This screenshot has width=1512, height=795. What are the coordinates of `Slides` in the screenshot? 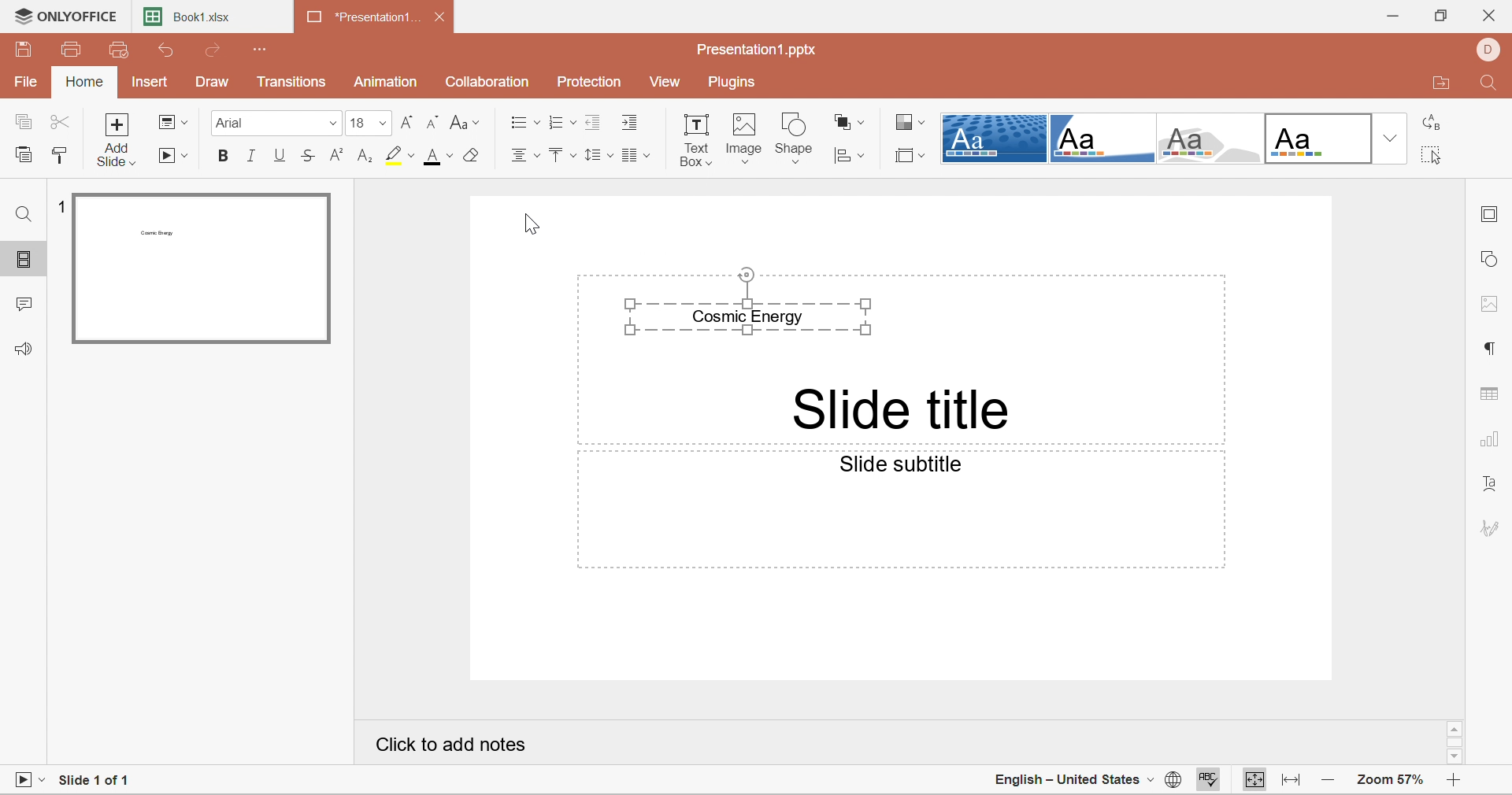 It's located at (25, 260).